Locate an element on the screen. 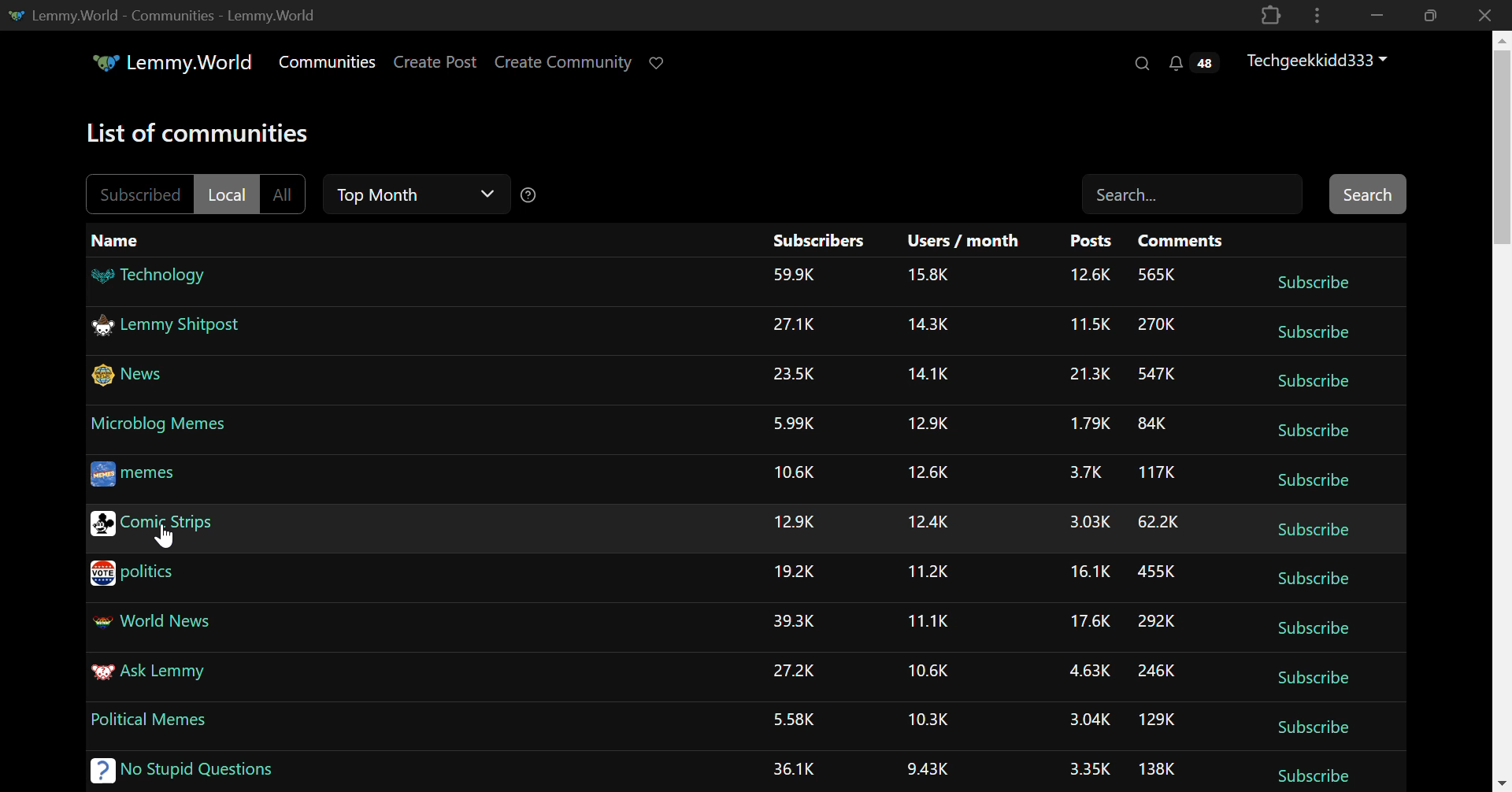 The image size is (1512, 792). Lemmy Shitpost is located at coordinates (169, 327).